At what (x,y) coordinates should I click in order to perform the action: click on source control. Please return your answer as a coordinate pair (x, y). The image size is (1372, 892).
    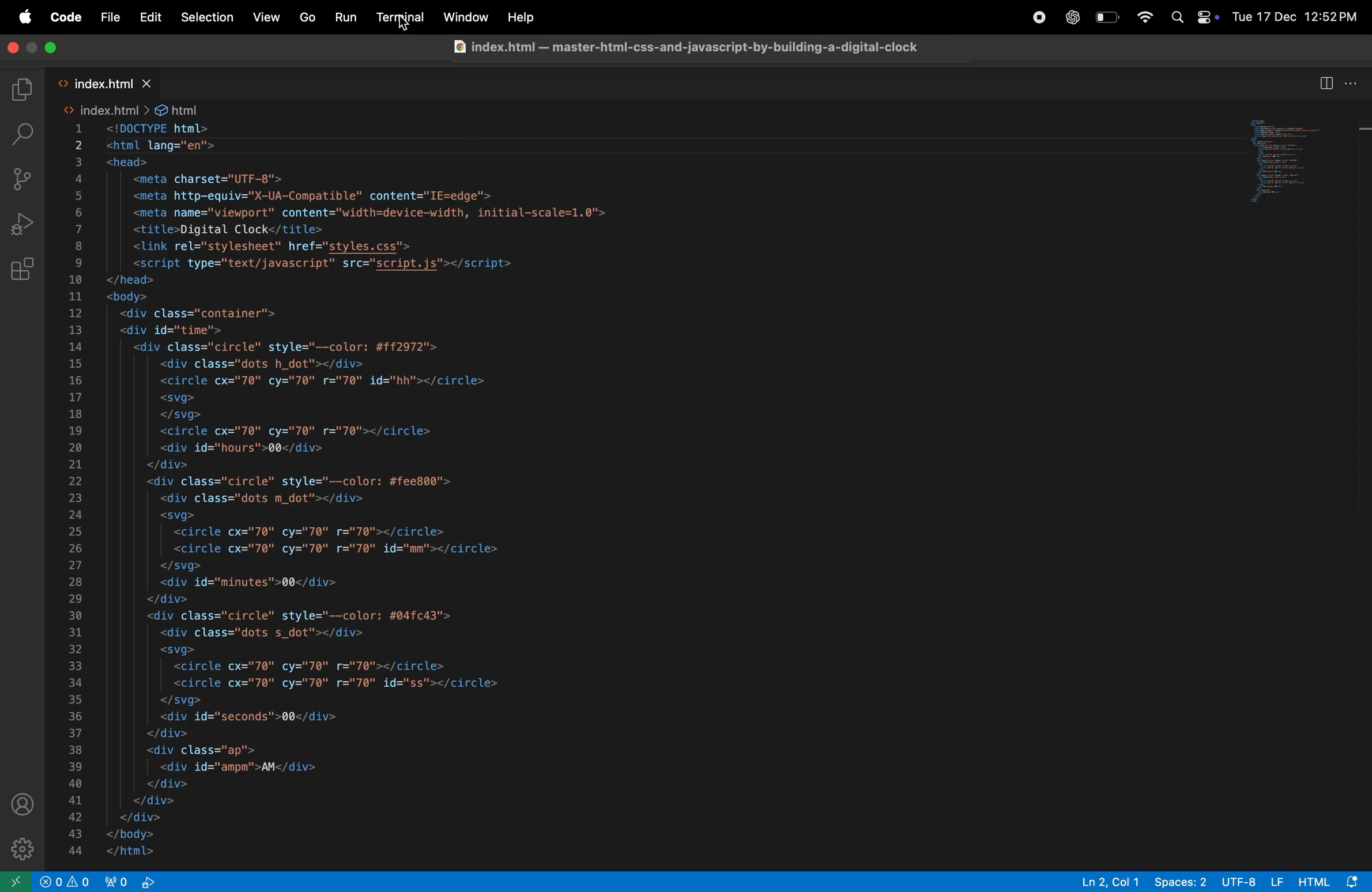
    Looking at the image, I should click on (26, 182).